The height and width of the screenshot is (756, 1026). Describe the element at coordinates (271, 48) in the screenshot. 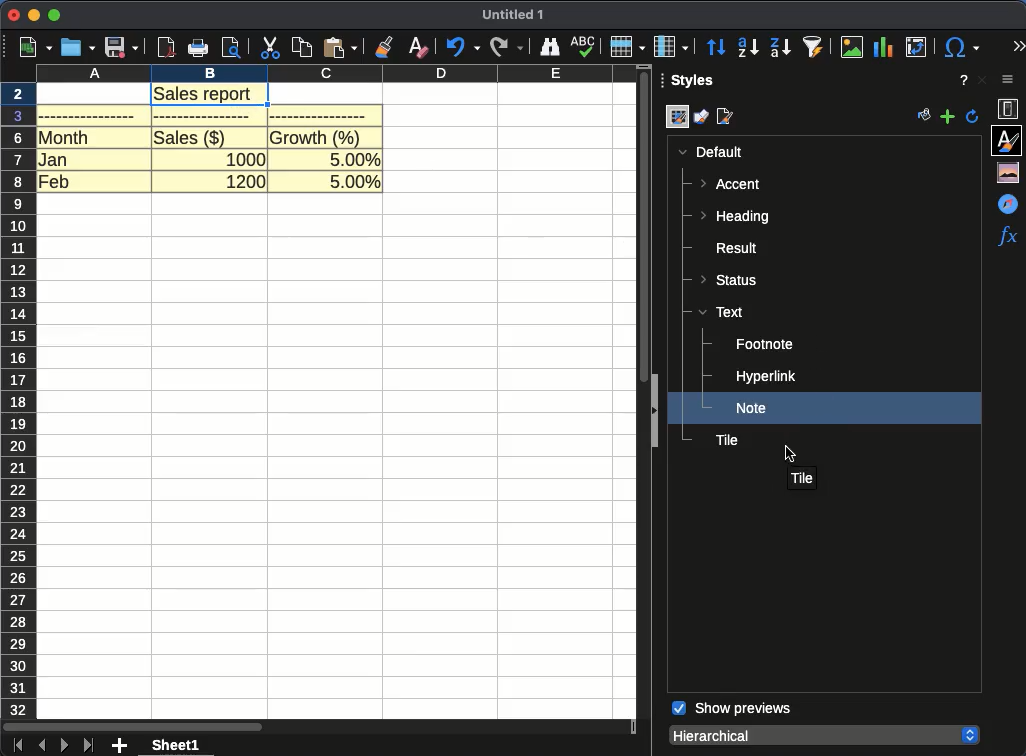

I see `cut` at that location.